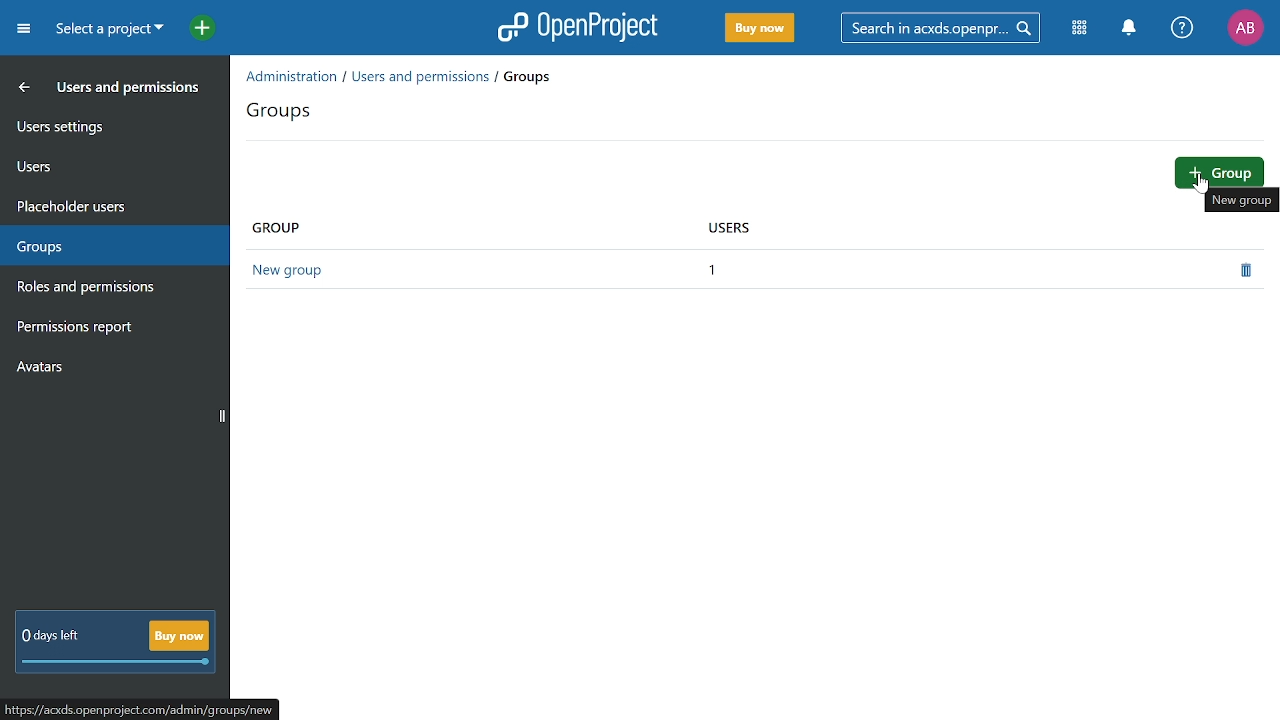 The image size is (1280, 720). Describe the element at coordinates (197, 30) in the screenshot. I see `add project` at that location.